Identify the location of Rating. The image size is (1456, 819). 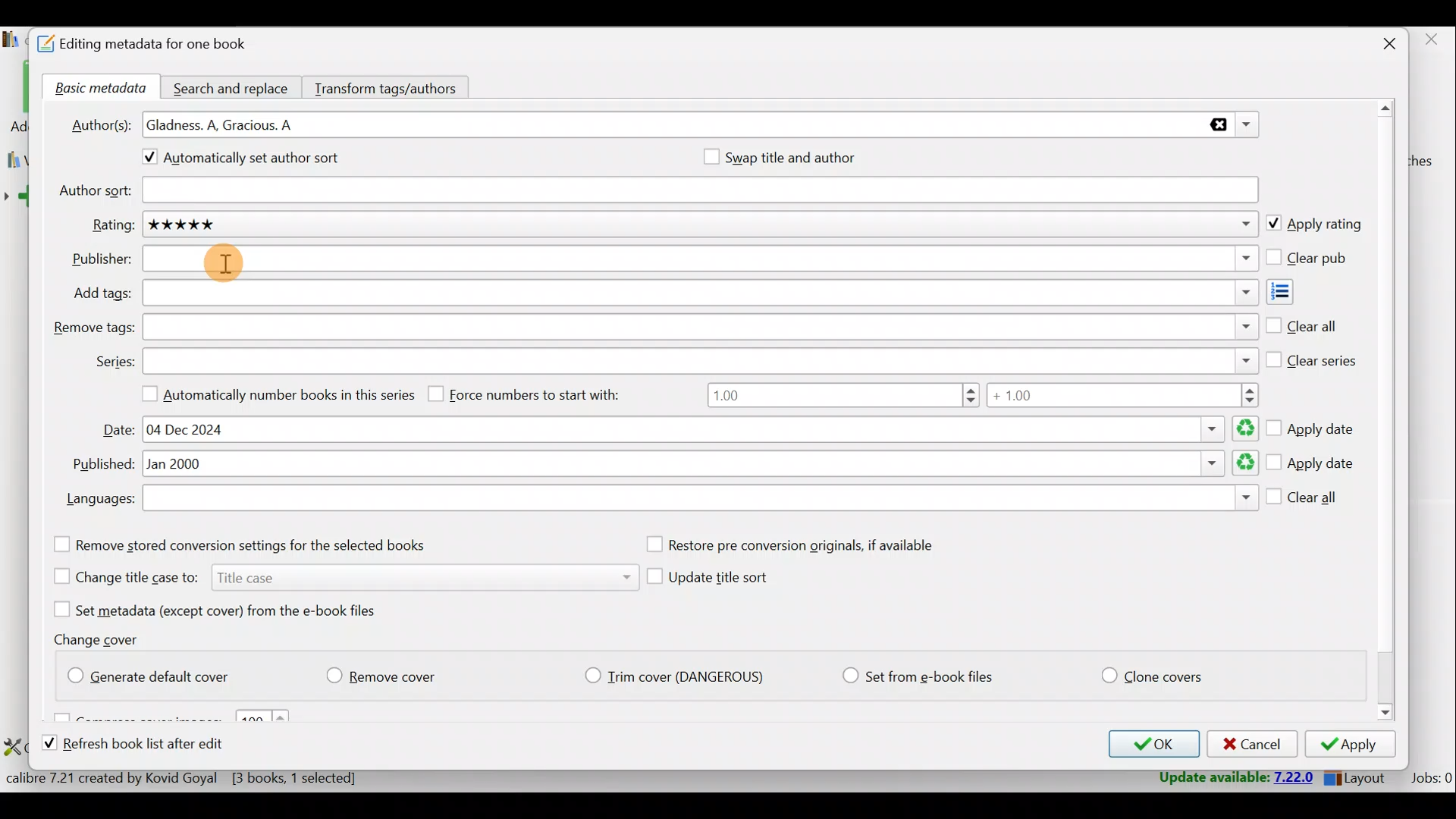
(703, 227).